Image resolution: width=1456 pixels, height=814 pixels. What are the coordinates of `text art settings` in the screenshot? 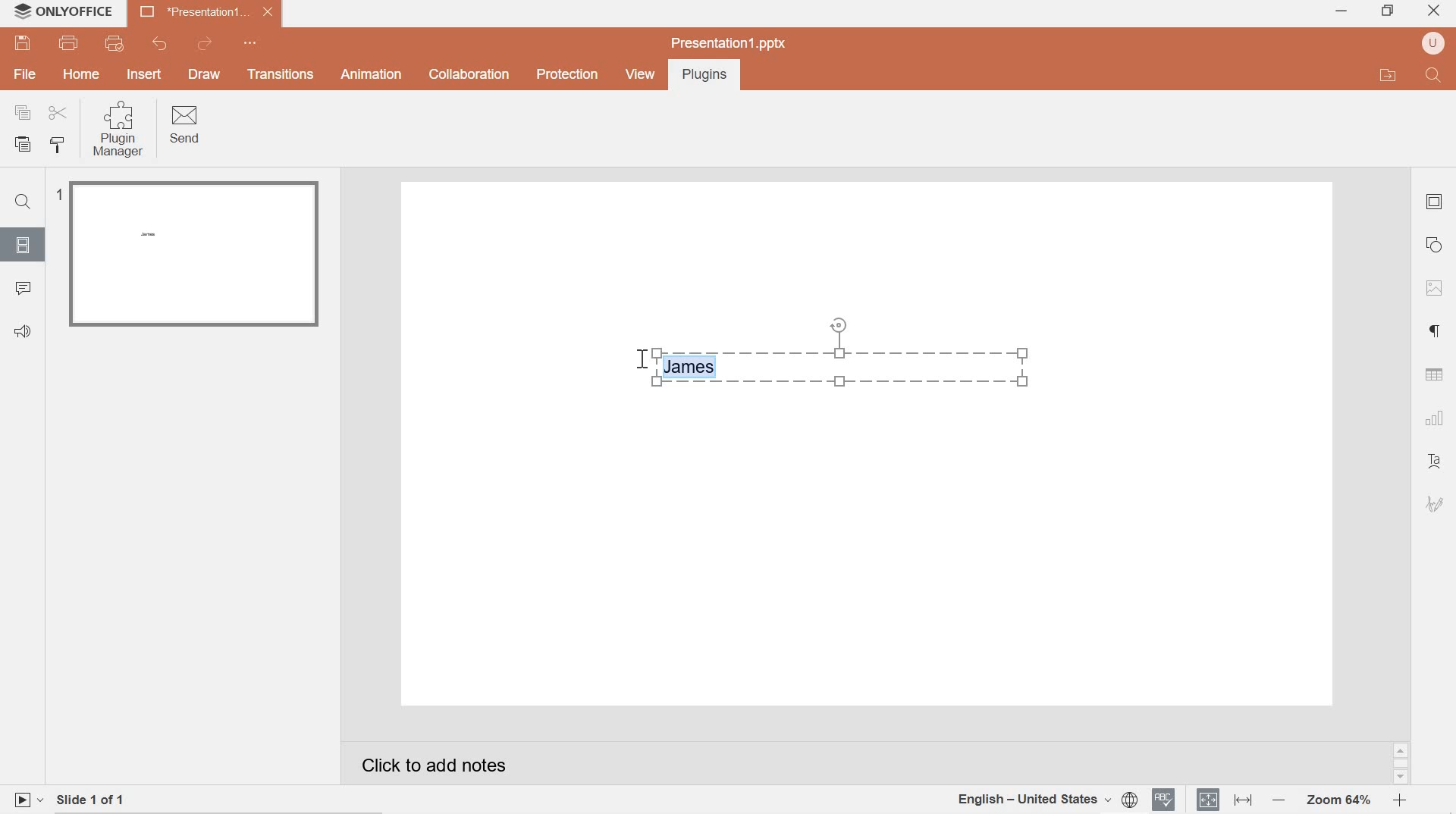 It's located at (1438, 463).